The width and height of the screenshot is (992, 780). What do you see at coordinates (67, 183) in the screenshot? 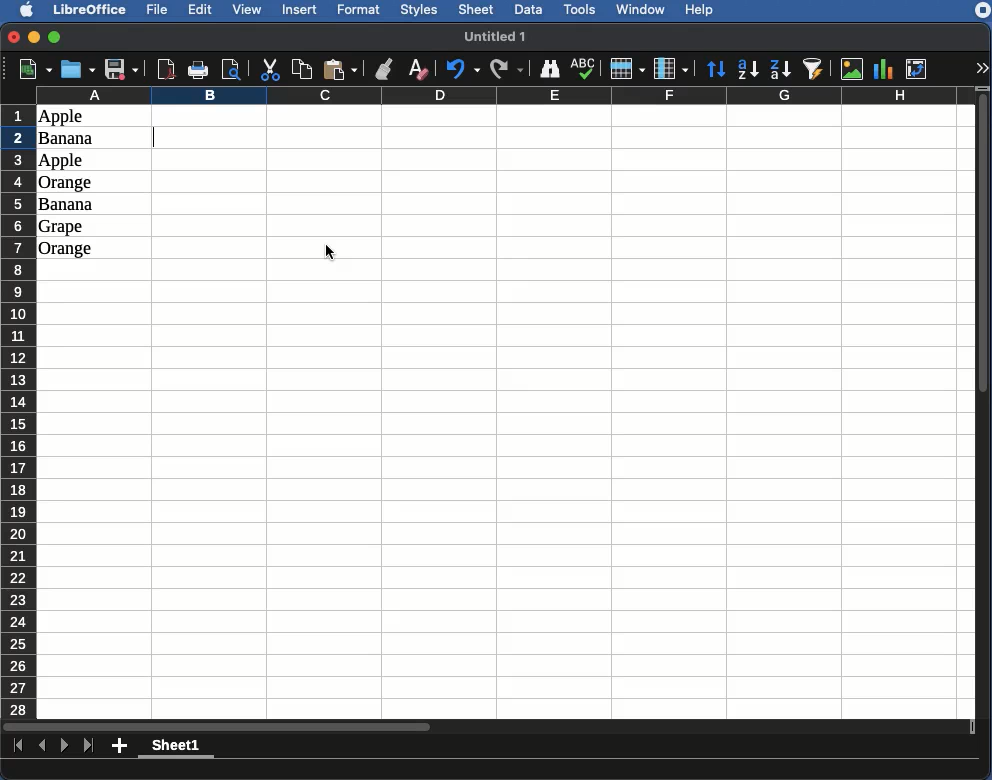
I see `Orange` at bounding box center [67, 183].